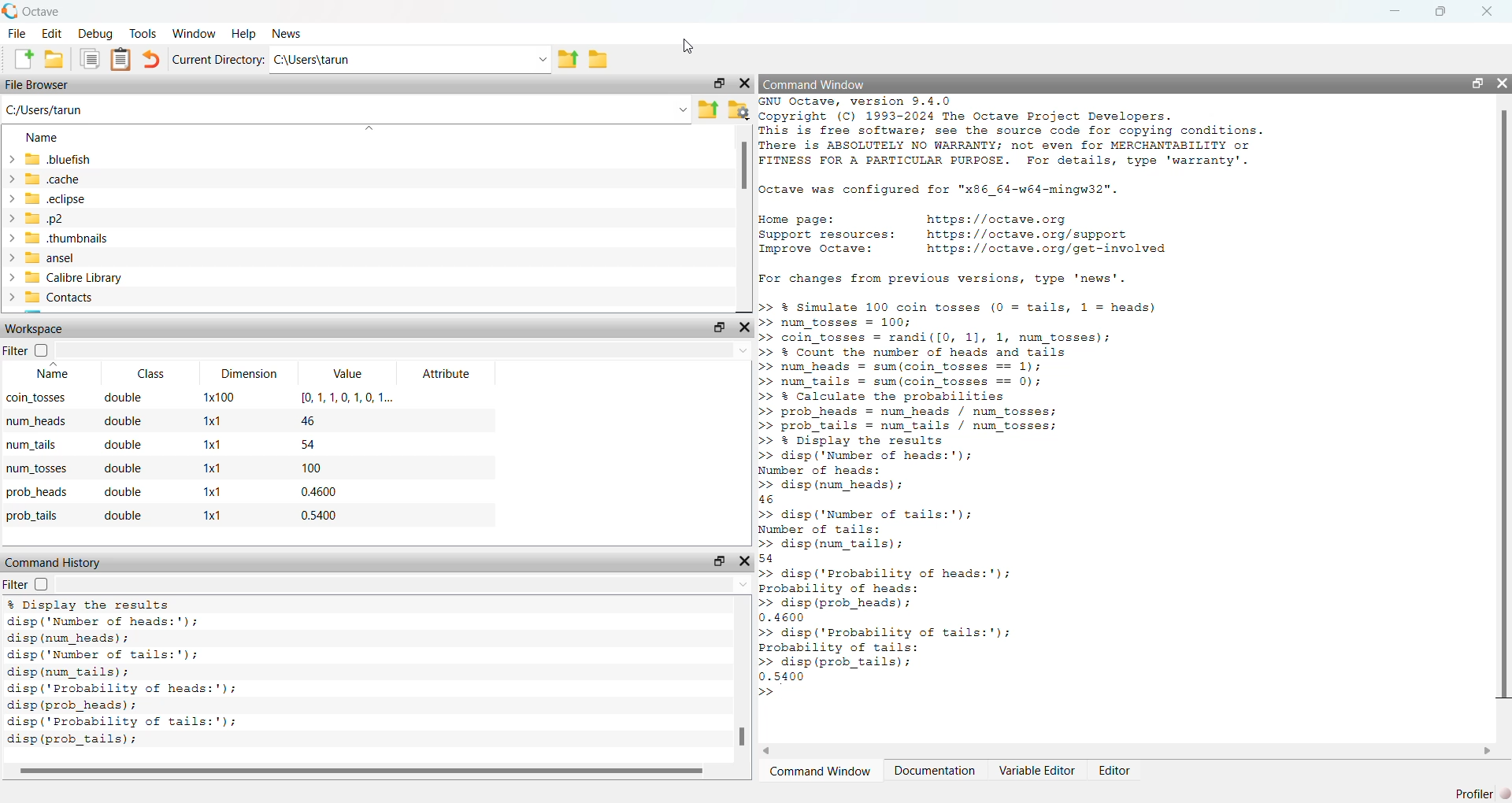  Describe the element at coordinates (32, 445) in the screenshot. I see `num_tails` at that location.